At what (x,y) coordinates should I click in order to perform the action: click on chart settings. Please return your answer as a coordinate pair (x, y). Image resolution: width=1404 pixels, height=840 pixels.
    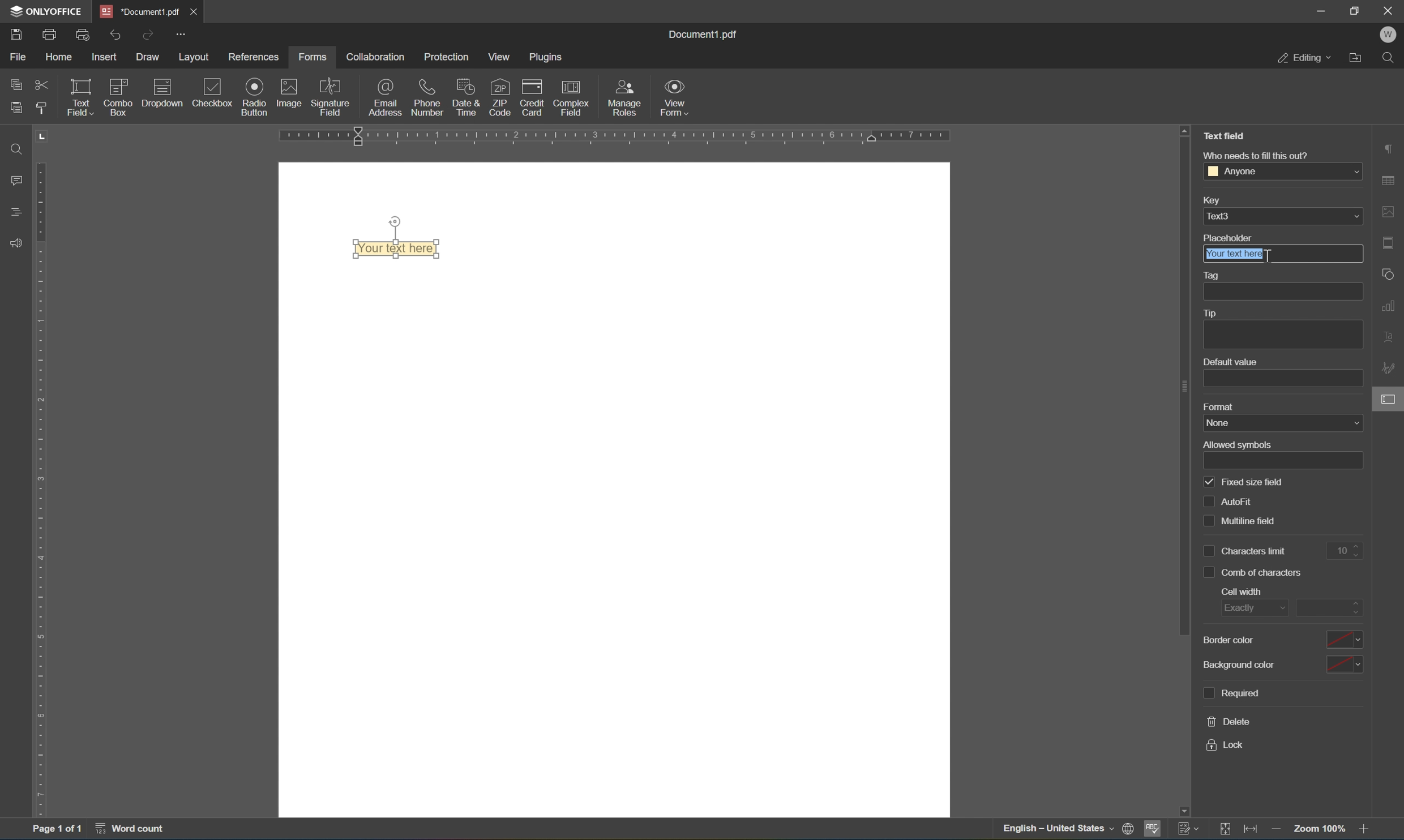
    Looking at the image, I should click on (1391, 306).